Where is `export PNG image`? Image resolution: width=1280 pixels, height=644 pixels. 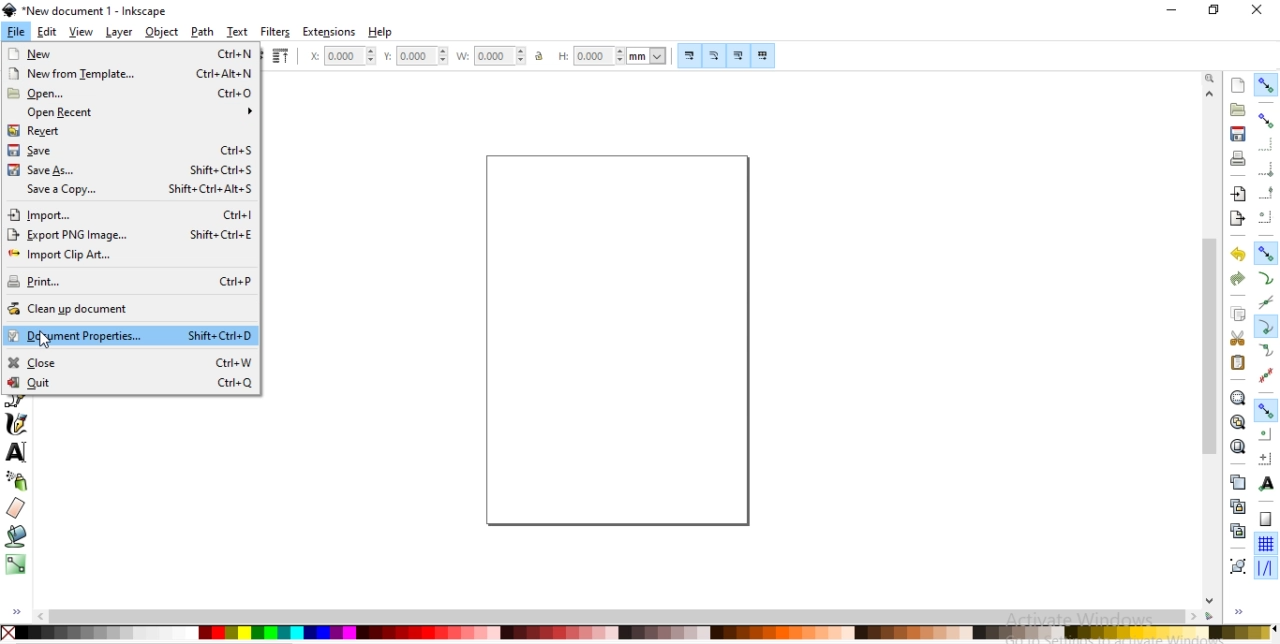 export PNG image is located at coordinates (131, 236).